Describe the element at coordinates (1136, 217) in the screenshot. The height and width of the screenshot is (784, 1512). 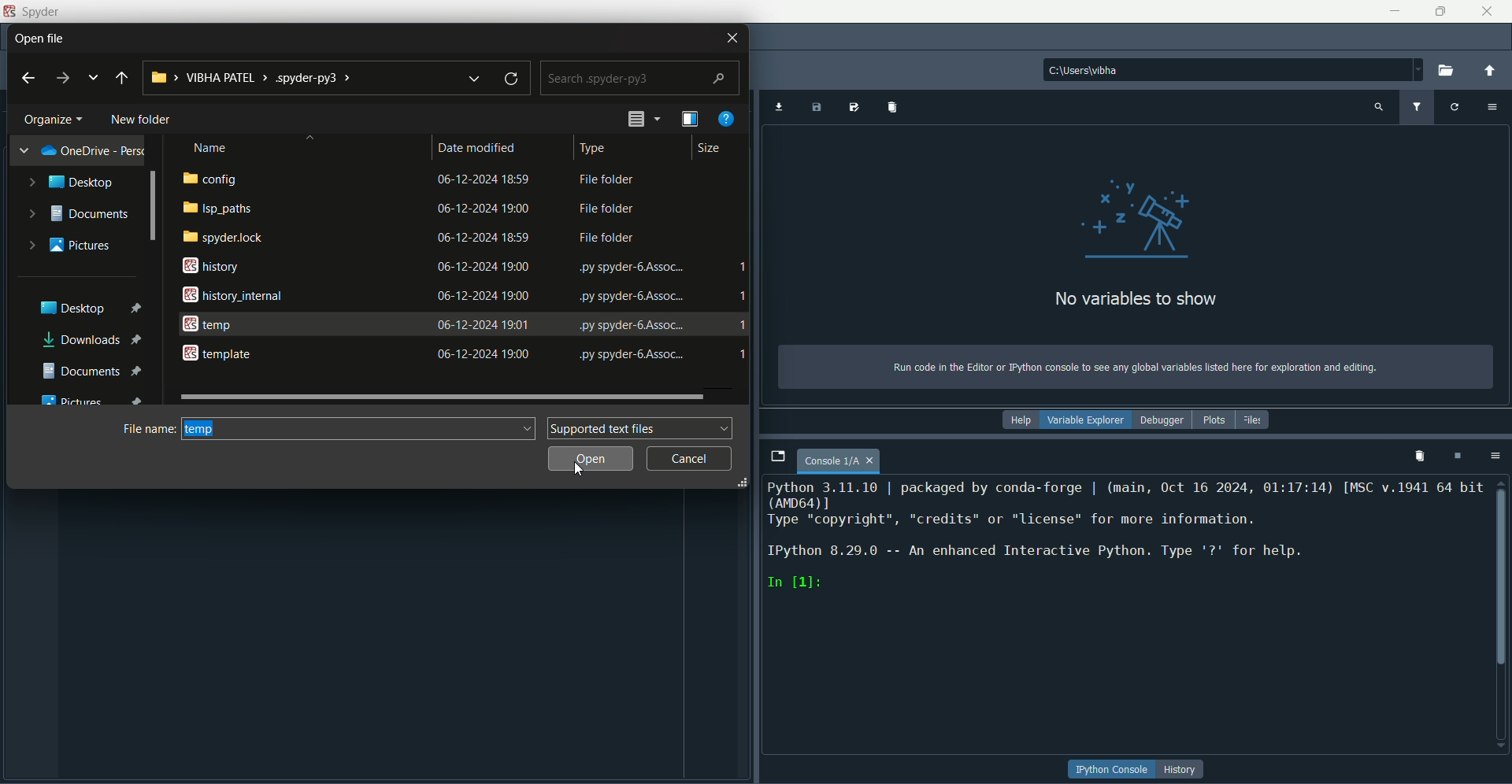
I see `graphics` at that location.